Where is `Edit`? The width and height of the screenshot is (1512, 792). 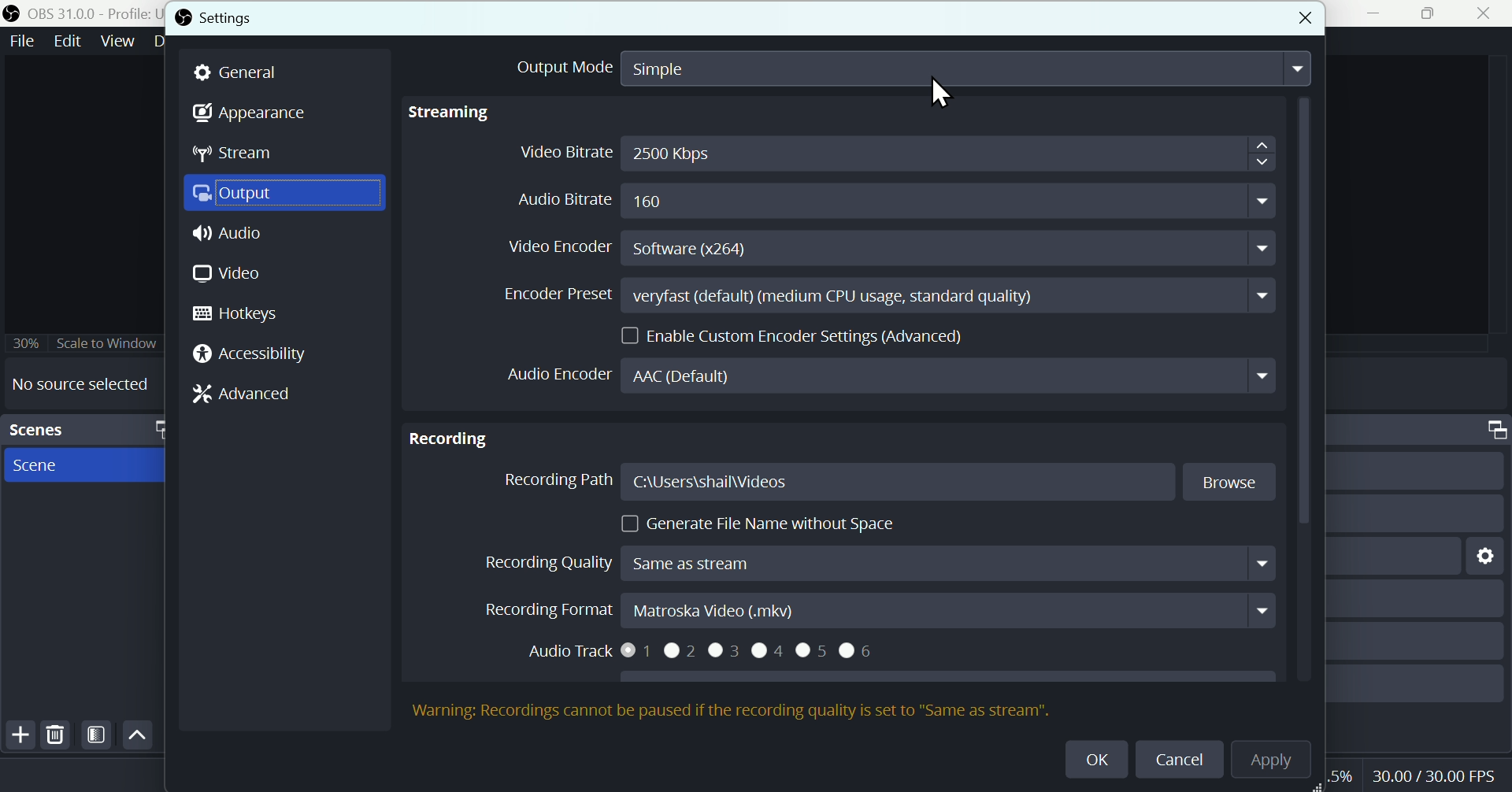 Edit is located at coordinates (69, 40).